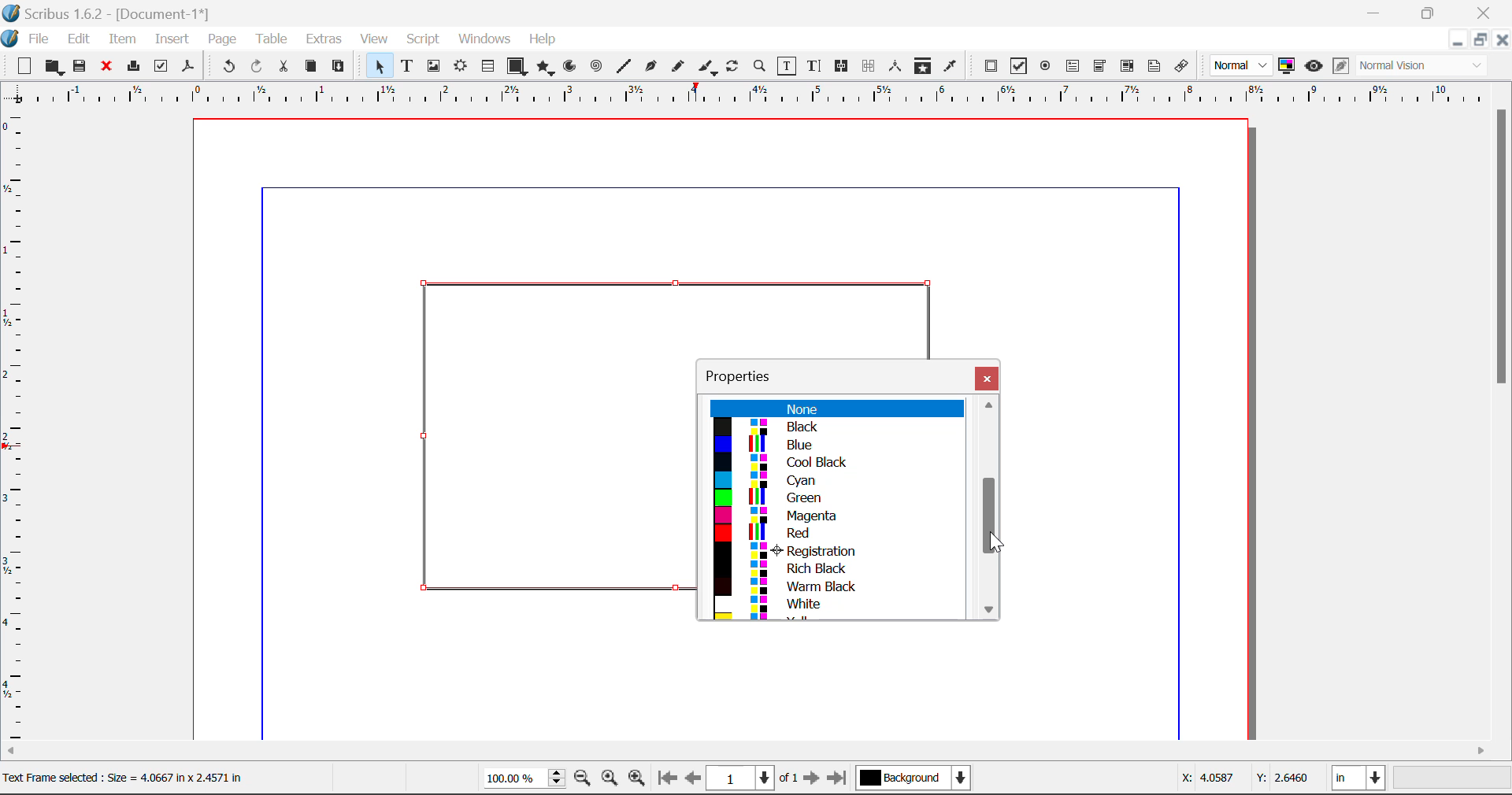 Image resolution: width=1512 pixels, height=795 pixels. Describe the element at coordinates (913, 779) in the screenshot. I see `Background` at that location.